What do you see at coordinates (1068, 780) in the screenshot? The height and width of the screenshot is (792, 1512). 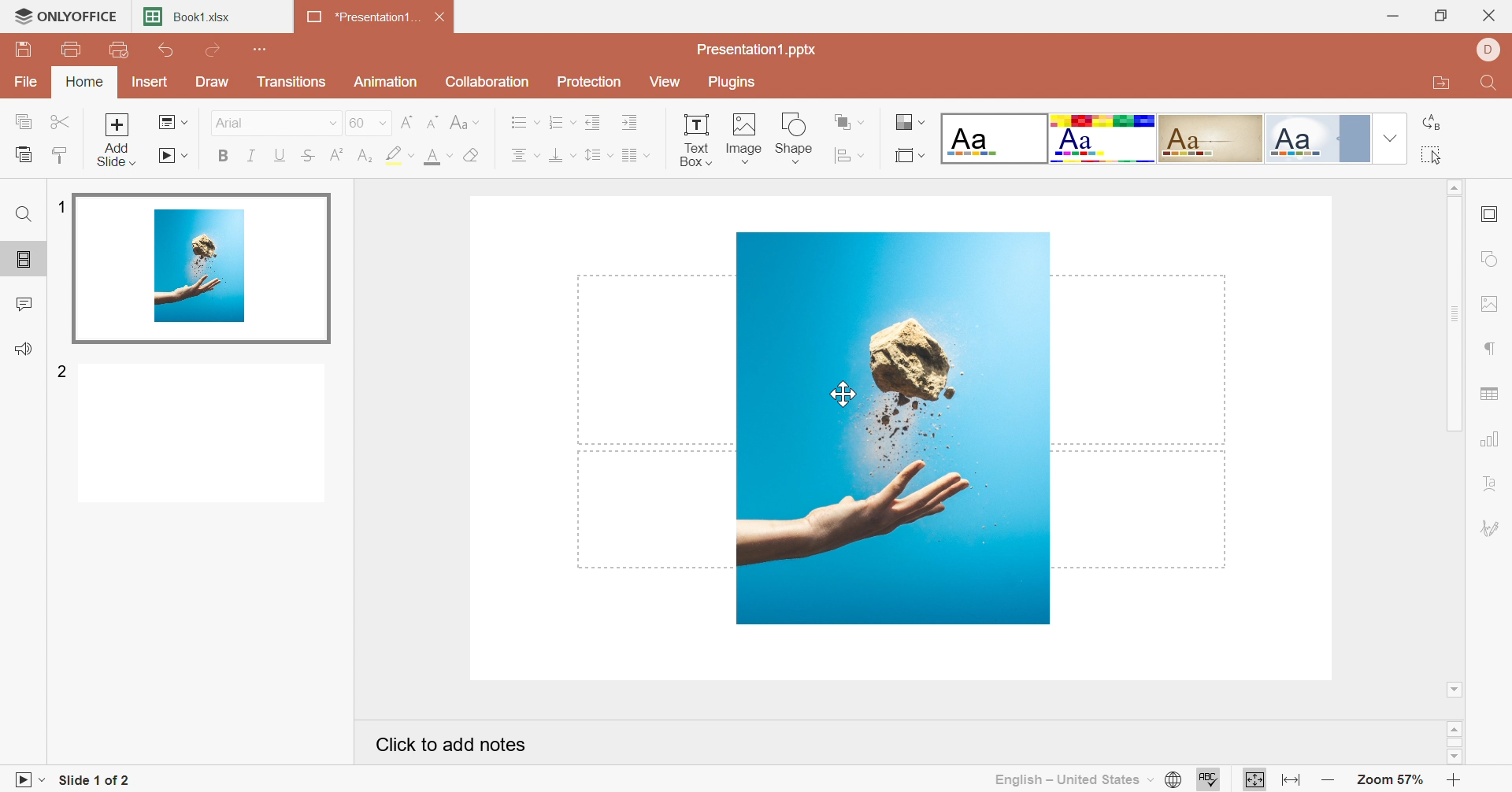 I see `English - United States` at bounding box center [1068, 780].